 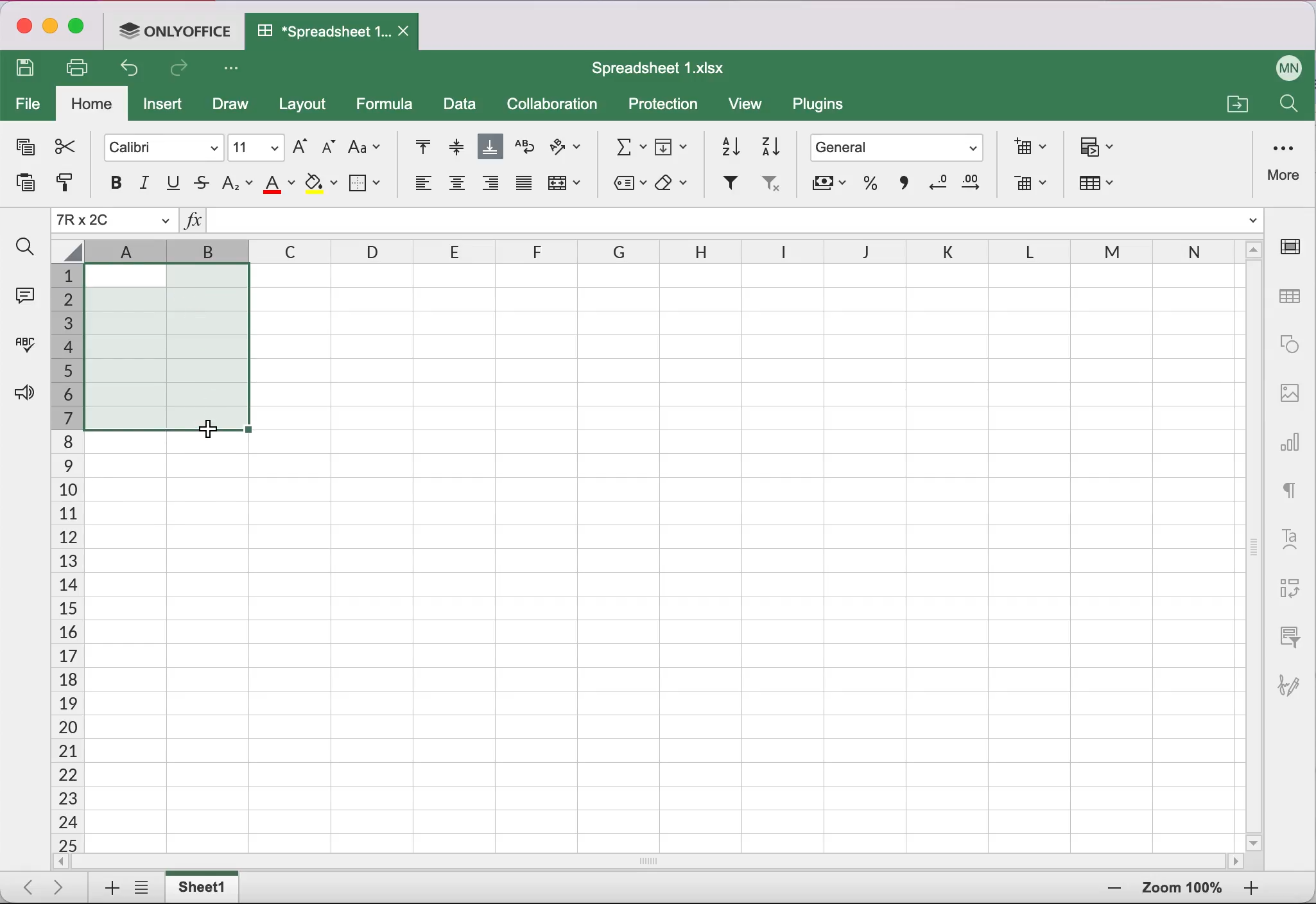 What do you see at coordinates (737, 223) in the screenshot?
I see `formula bar` at bounding box center [737, 223].